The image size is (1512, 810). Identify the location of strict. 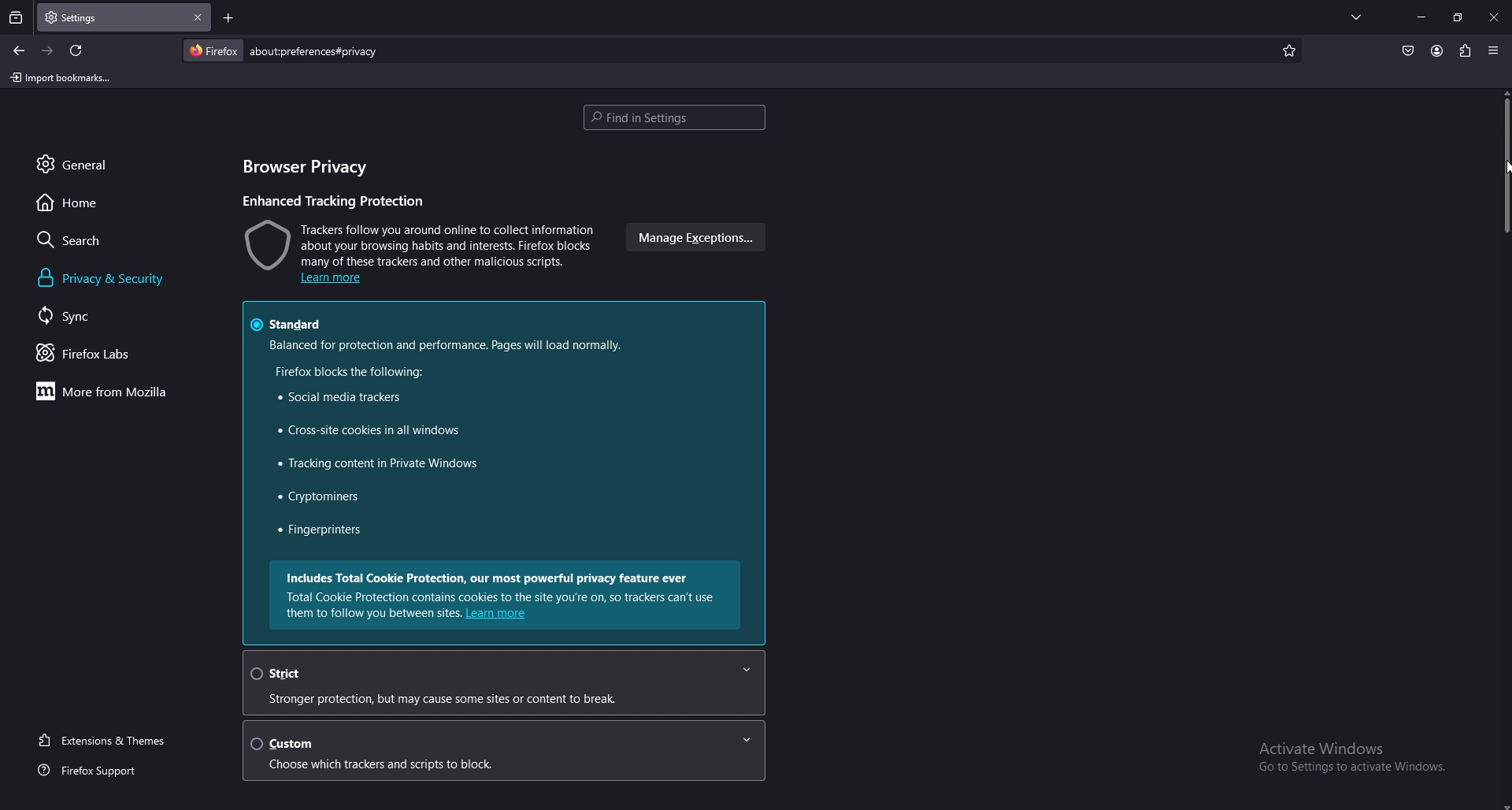
(503, 682).